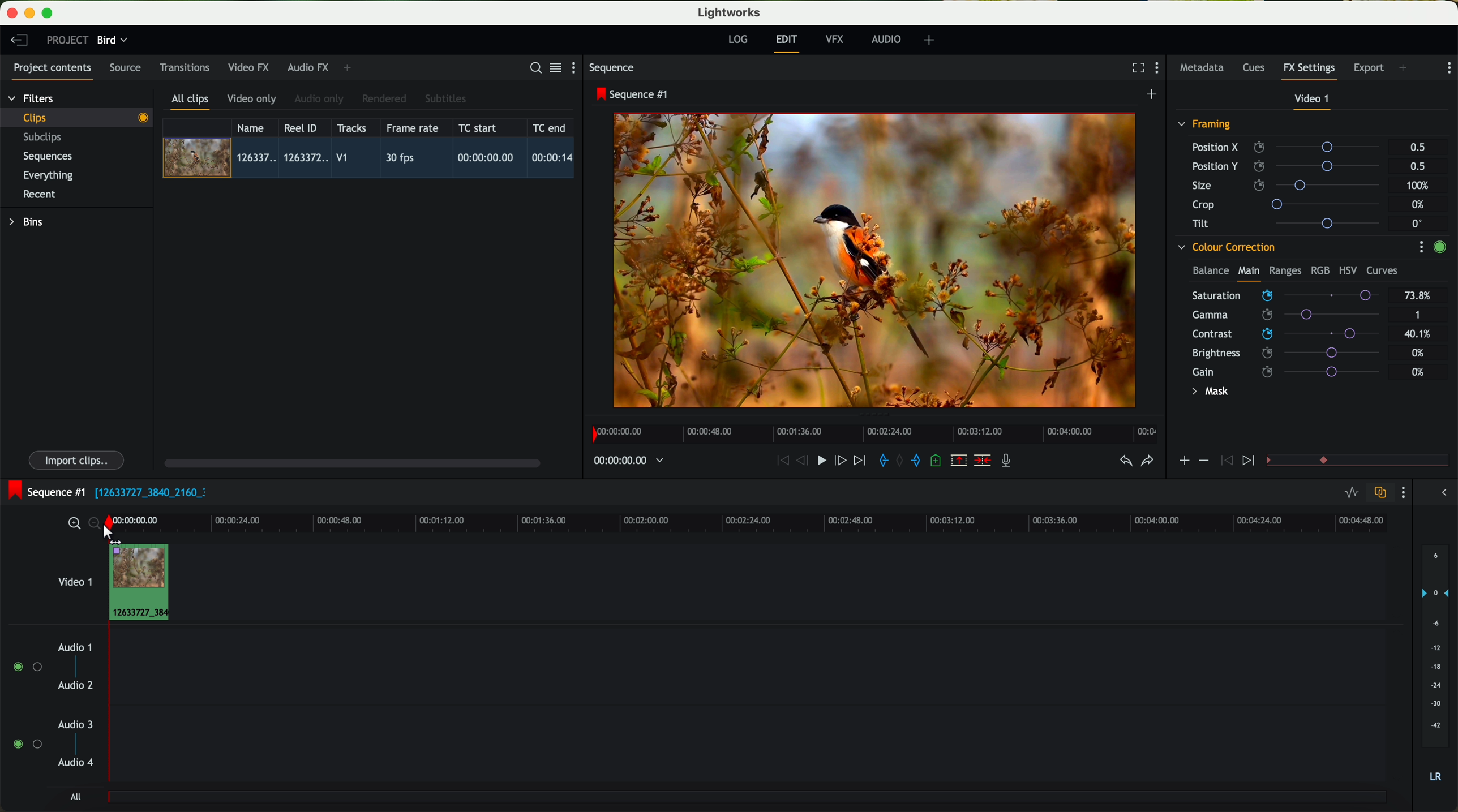 The image size is (1458, 812). What do you see at coordinates (880, 462) in the screenshot?
I see `add 'in' mark` at bounding box center [880, 462].